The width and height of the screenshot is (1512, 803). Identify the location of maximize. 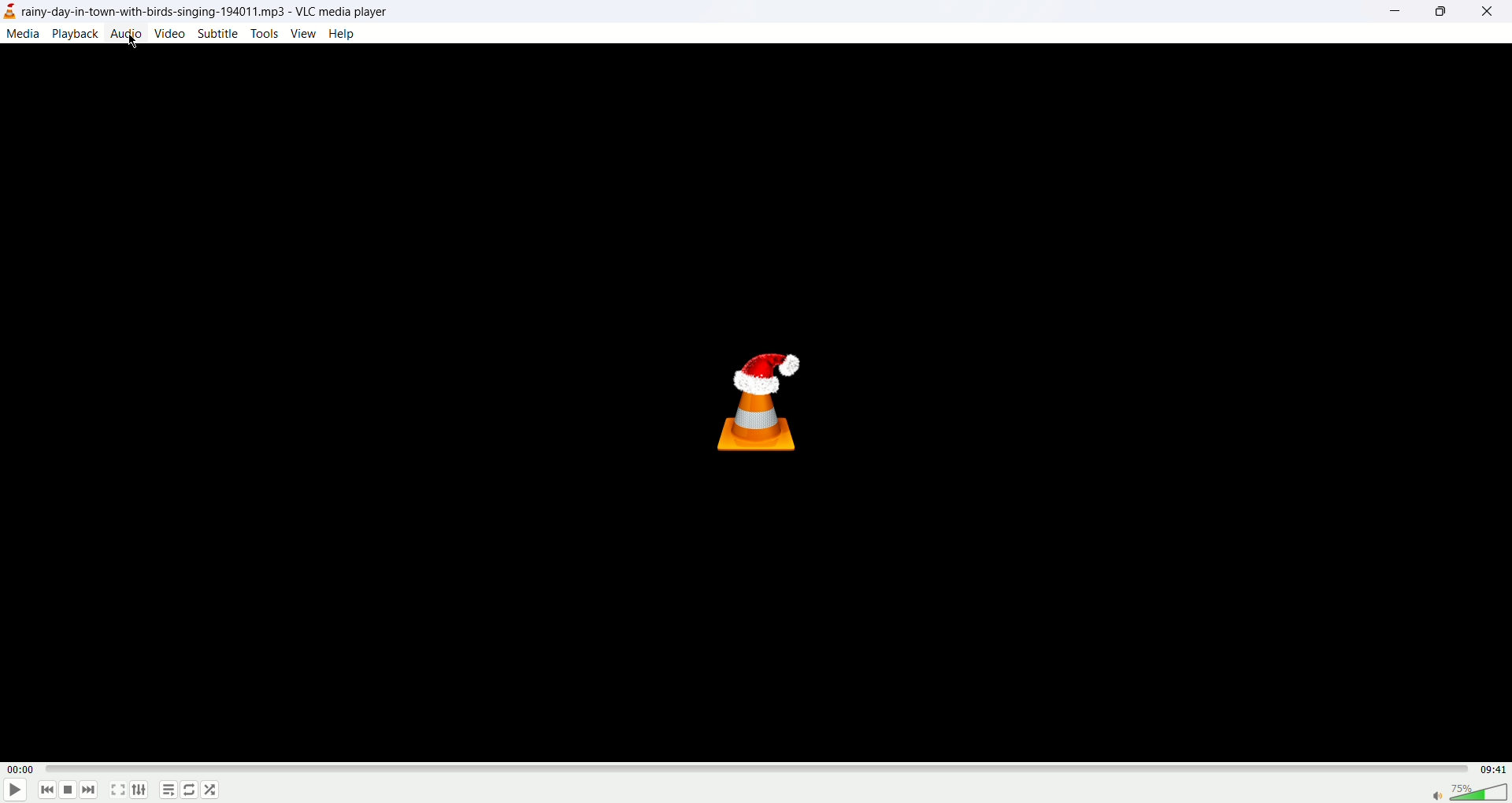
(1440, 12).